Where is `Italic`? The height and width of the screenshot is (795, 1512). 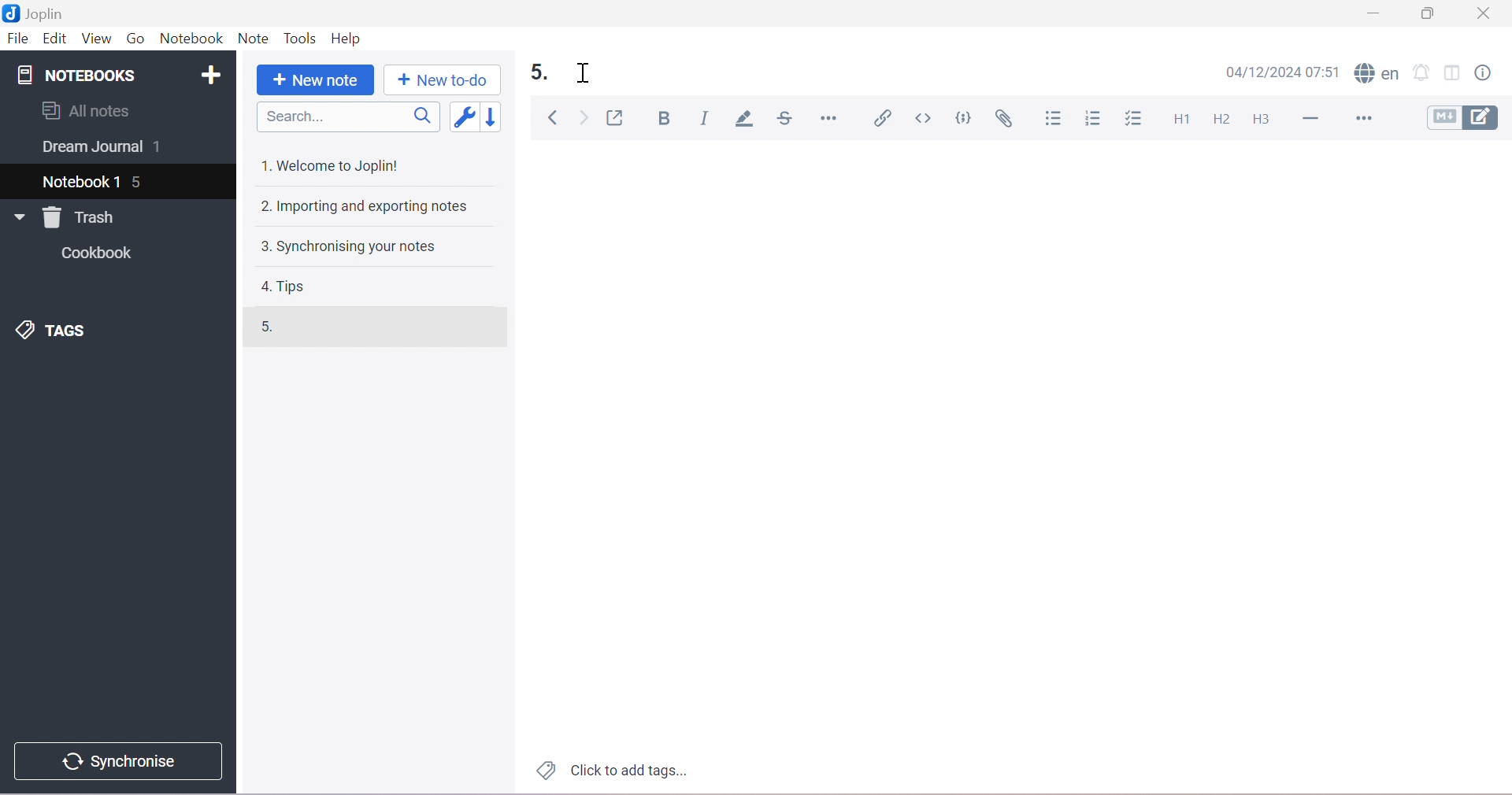 Italic is located at coordinates (706, 116).